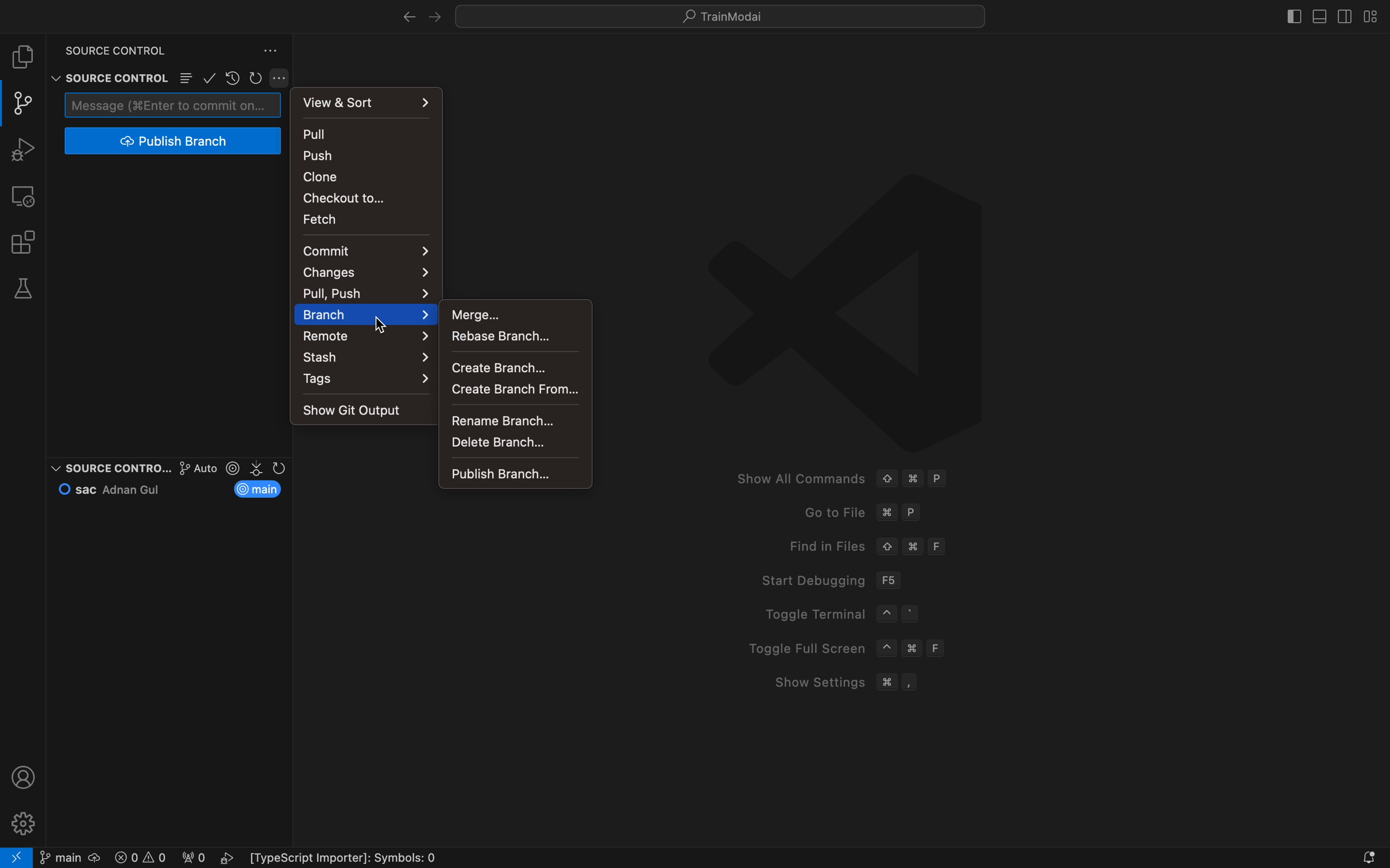 This screenshot has height=868, width=1390. Describe the element at coordinates (23, 103) in the screenshot. I see `git panel` at that location.